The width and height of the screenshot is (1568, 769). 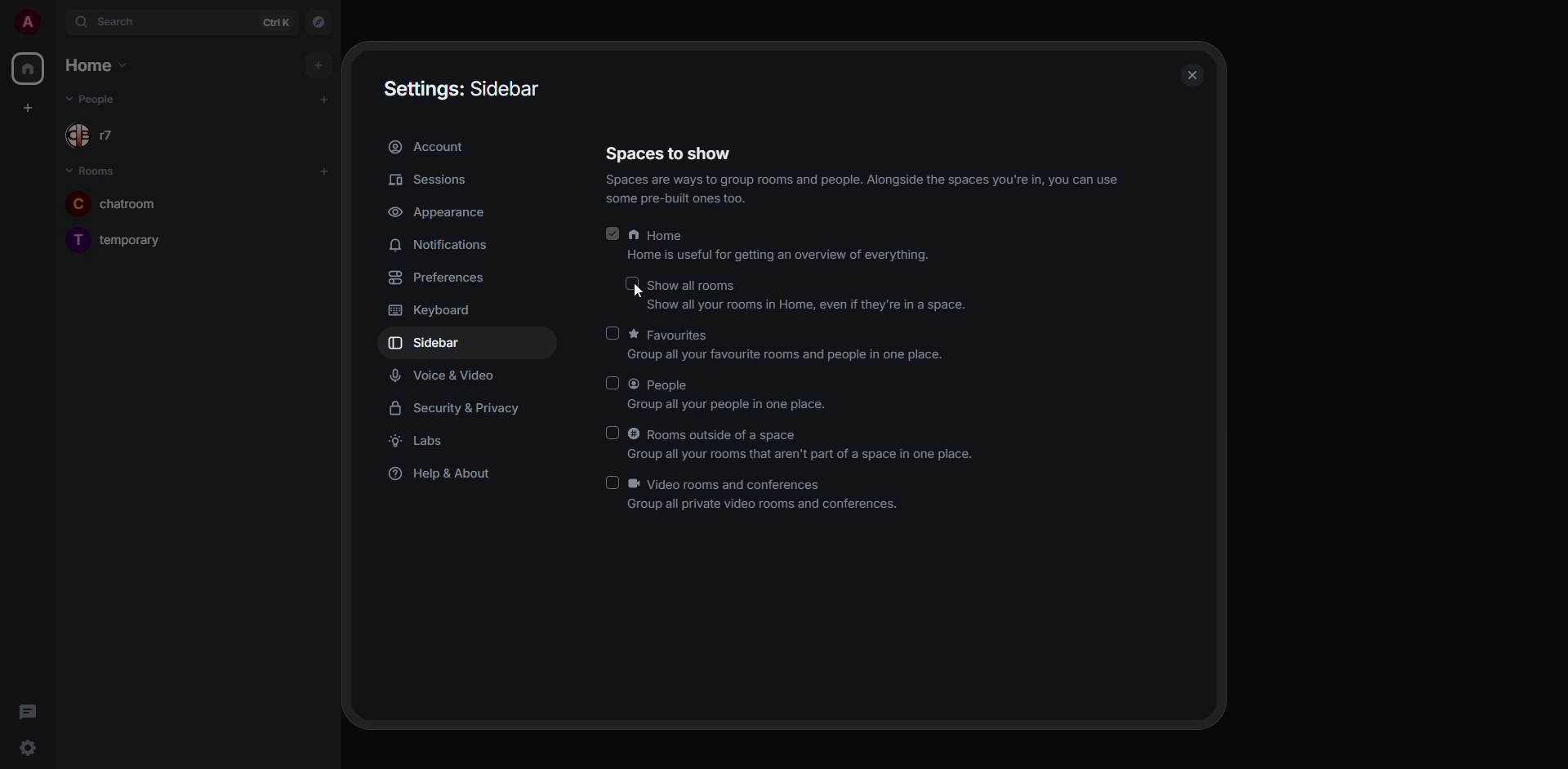 What do you see at coordinates (114, 237) in the screenshot?
I see `temporary` at bounding box center [114, 237].